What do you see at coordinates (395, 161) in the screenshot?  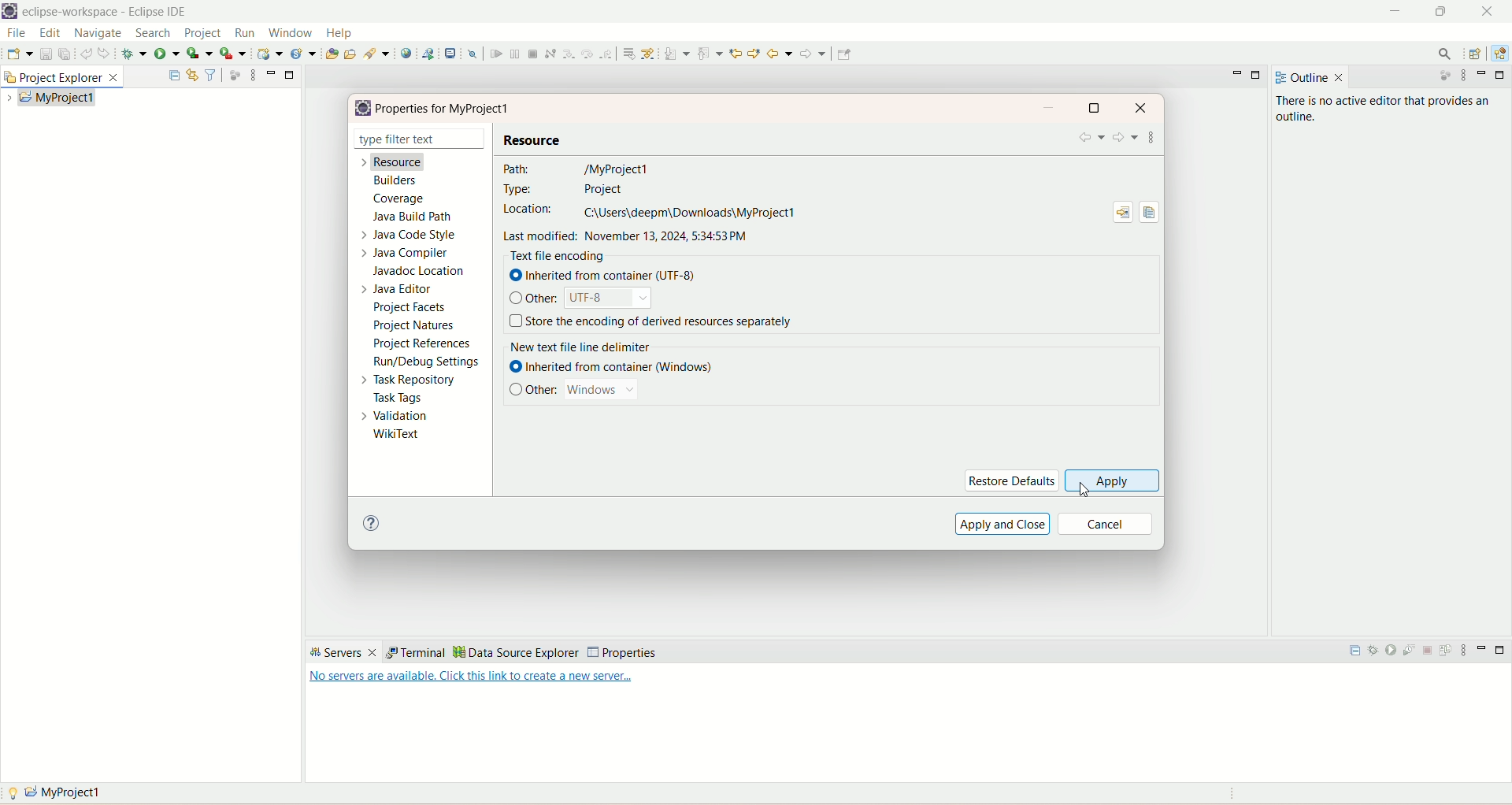 I see `resource` at bounding box center [395, 161].